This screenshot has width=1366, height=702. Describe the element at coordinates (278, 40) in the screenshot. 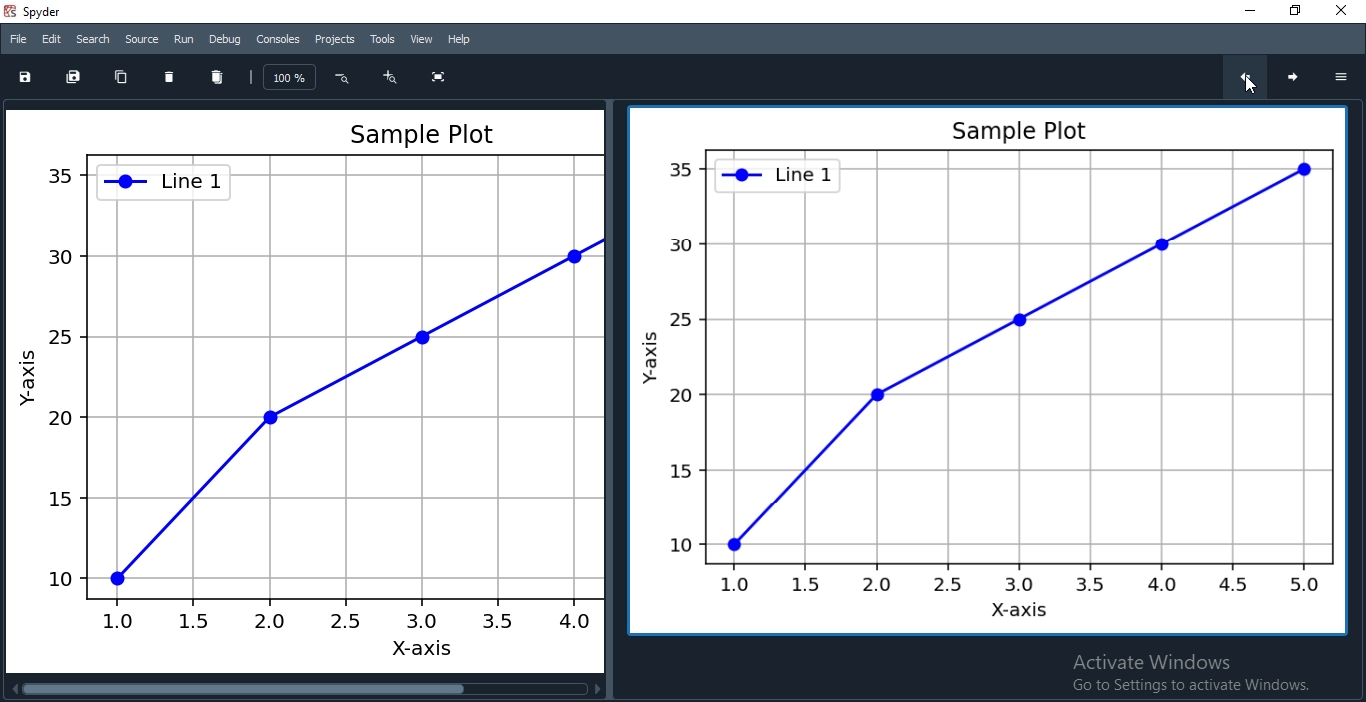

I see `Consoles` at that location.